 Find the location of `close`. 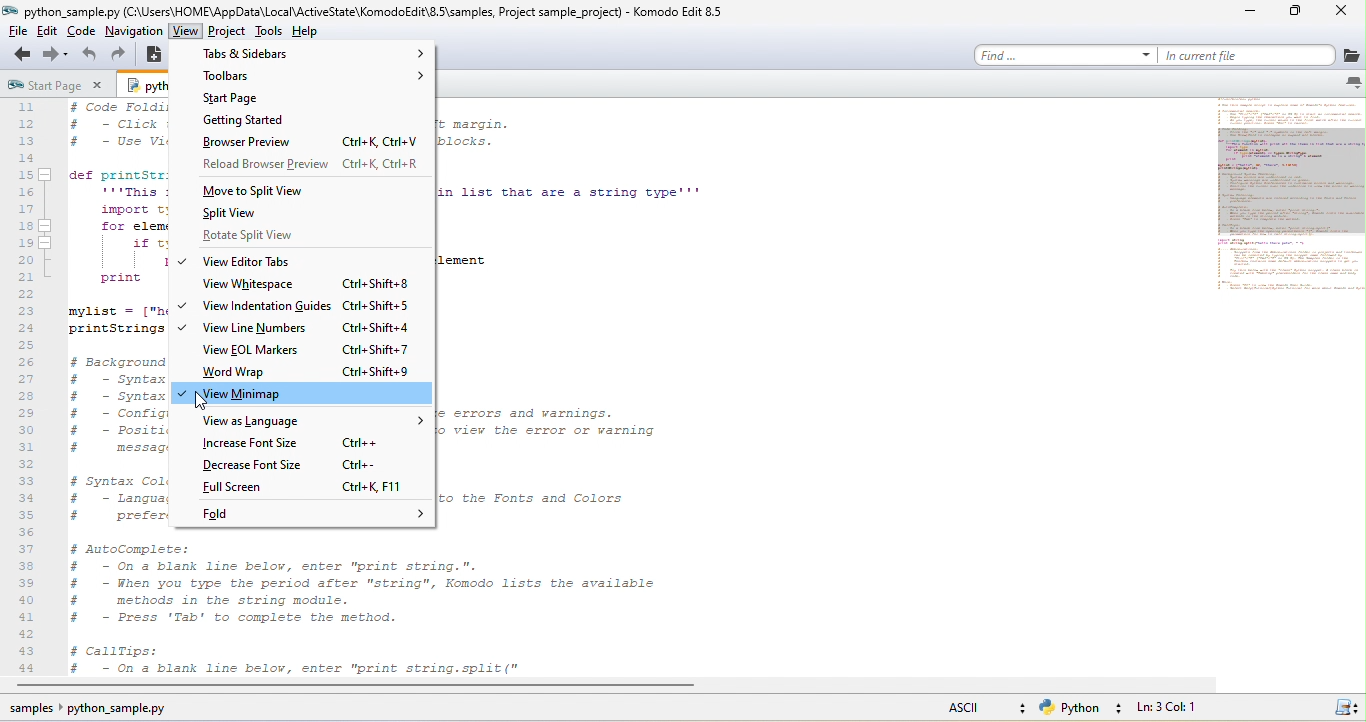

close is located at coordinates (1338, 16).